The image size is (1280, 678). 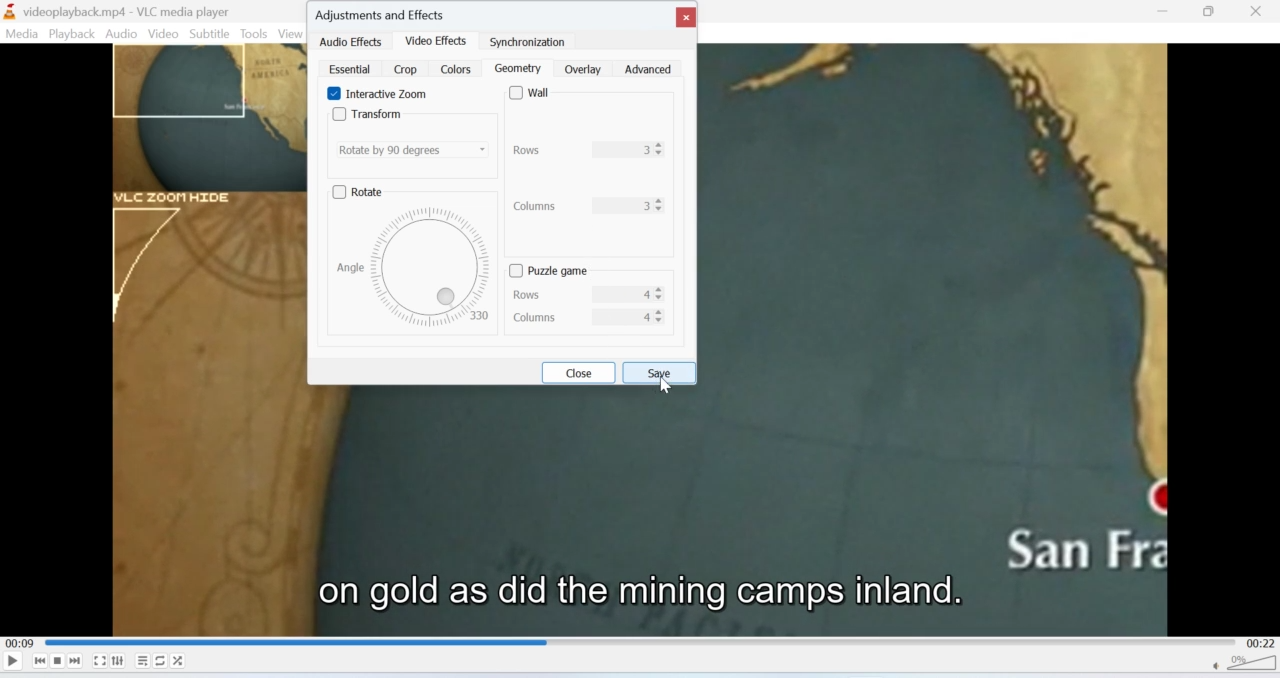 I want to click on close, so click(x=579, y=373).